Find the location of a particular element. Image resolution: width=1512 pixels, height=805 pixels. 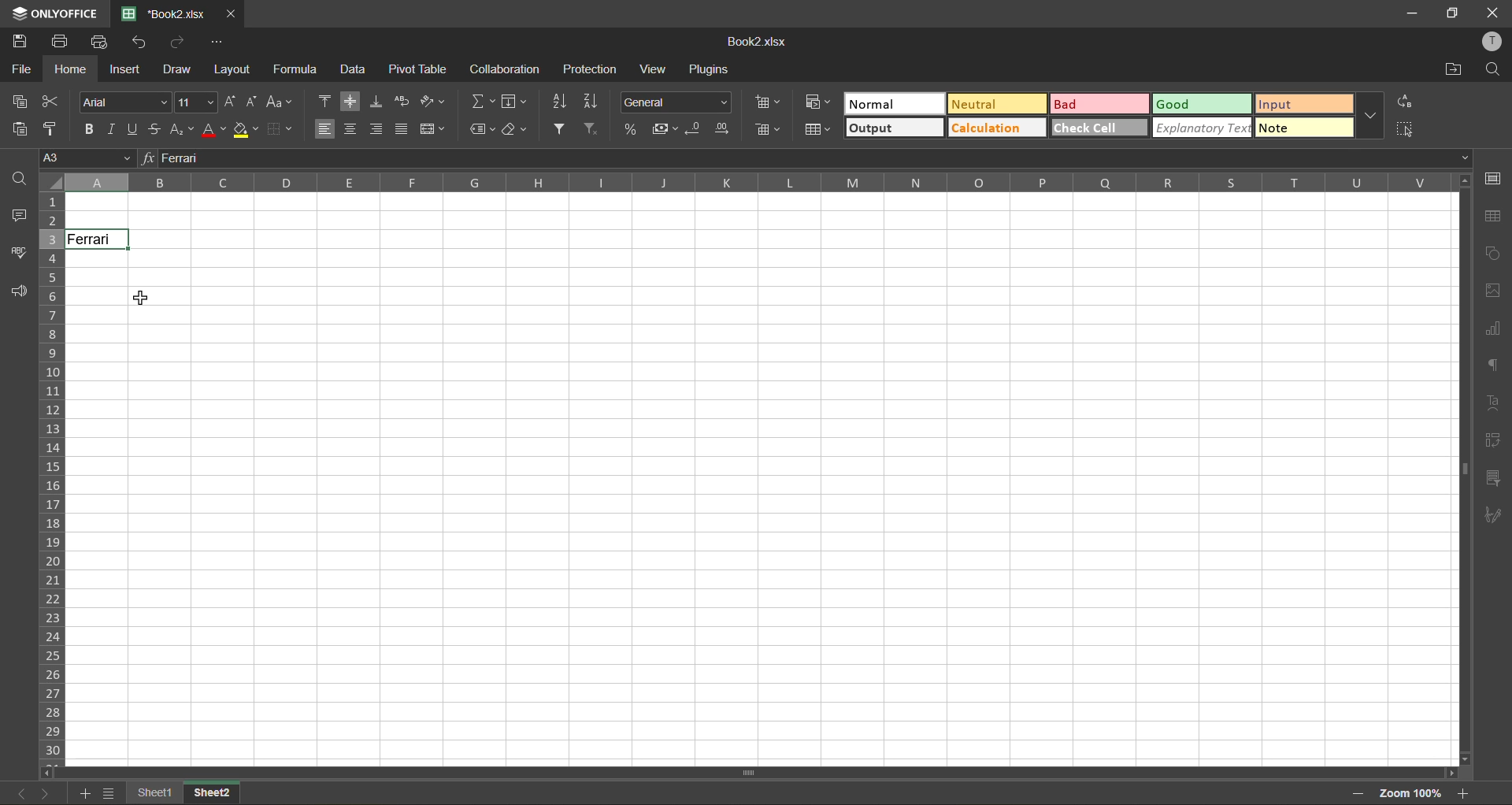

bad is located at coordinates (1100, 104).